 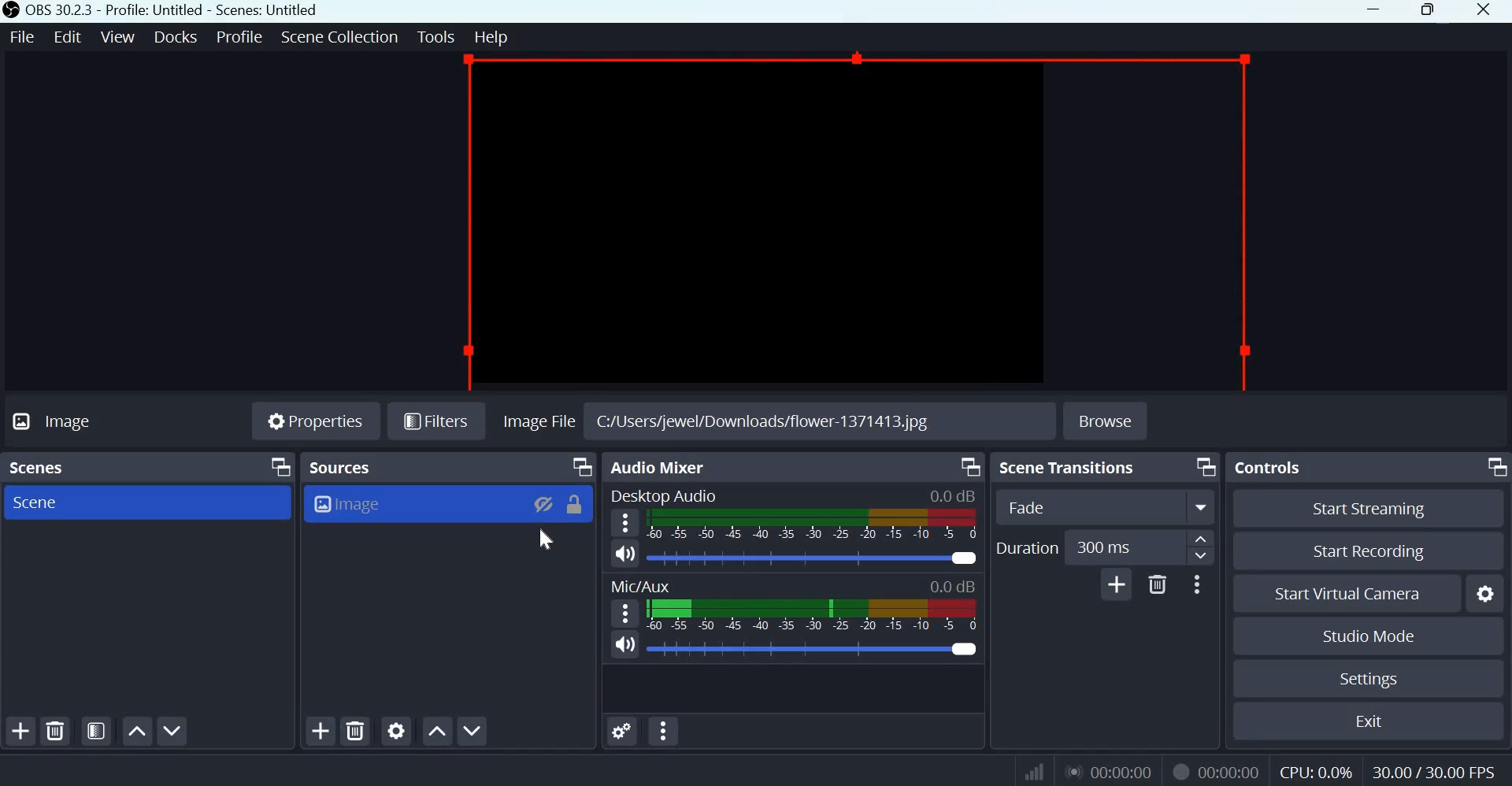 What do you see at coordinates (1485, 593) in the screenshot?
I see `configure virtual camera` at bounding box center [1485, 593].